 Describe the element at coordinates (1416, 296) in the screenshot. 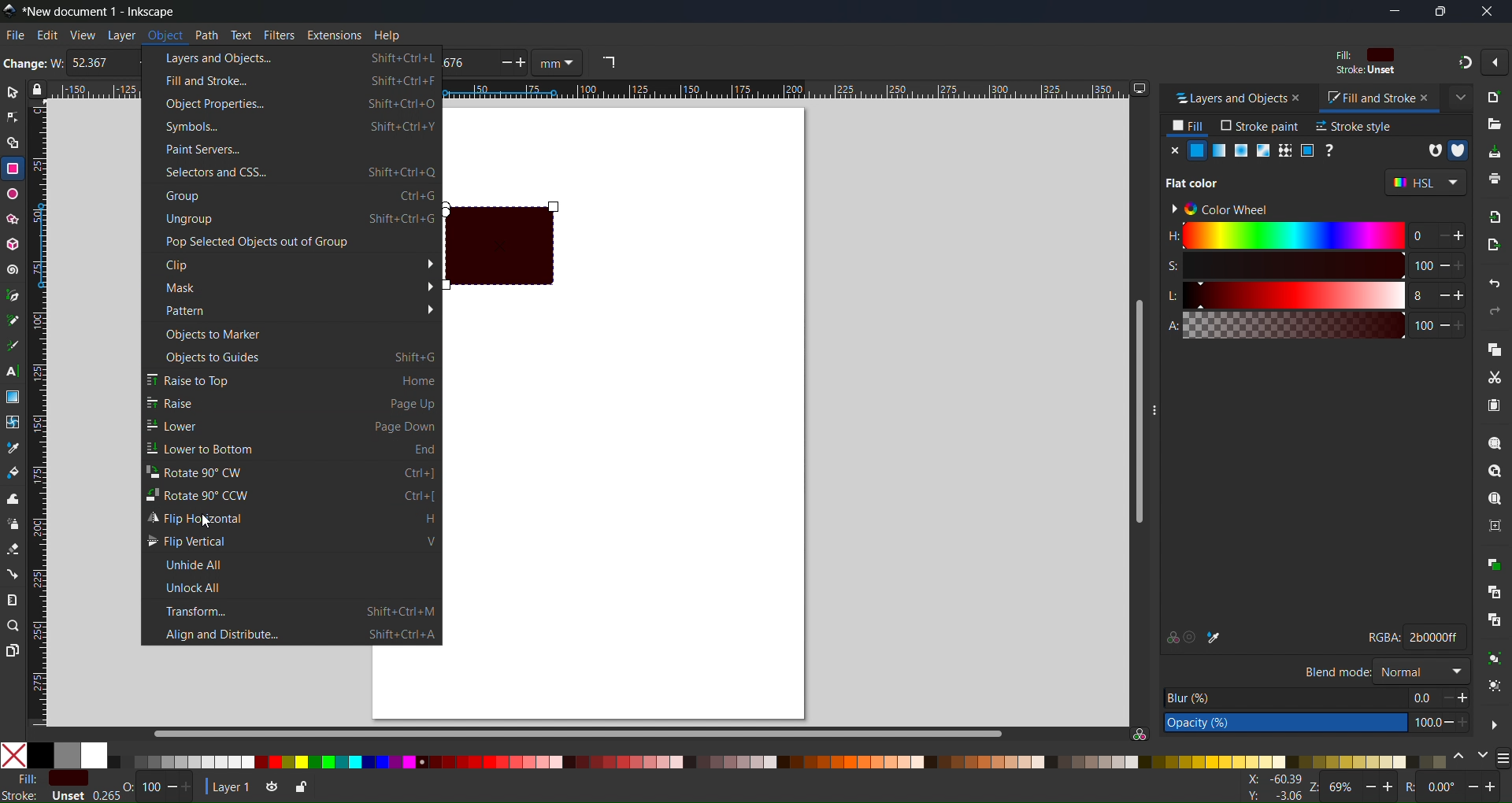

I see ` 8` at that location.